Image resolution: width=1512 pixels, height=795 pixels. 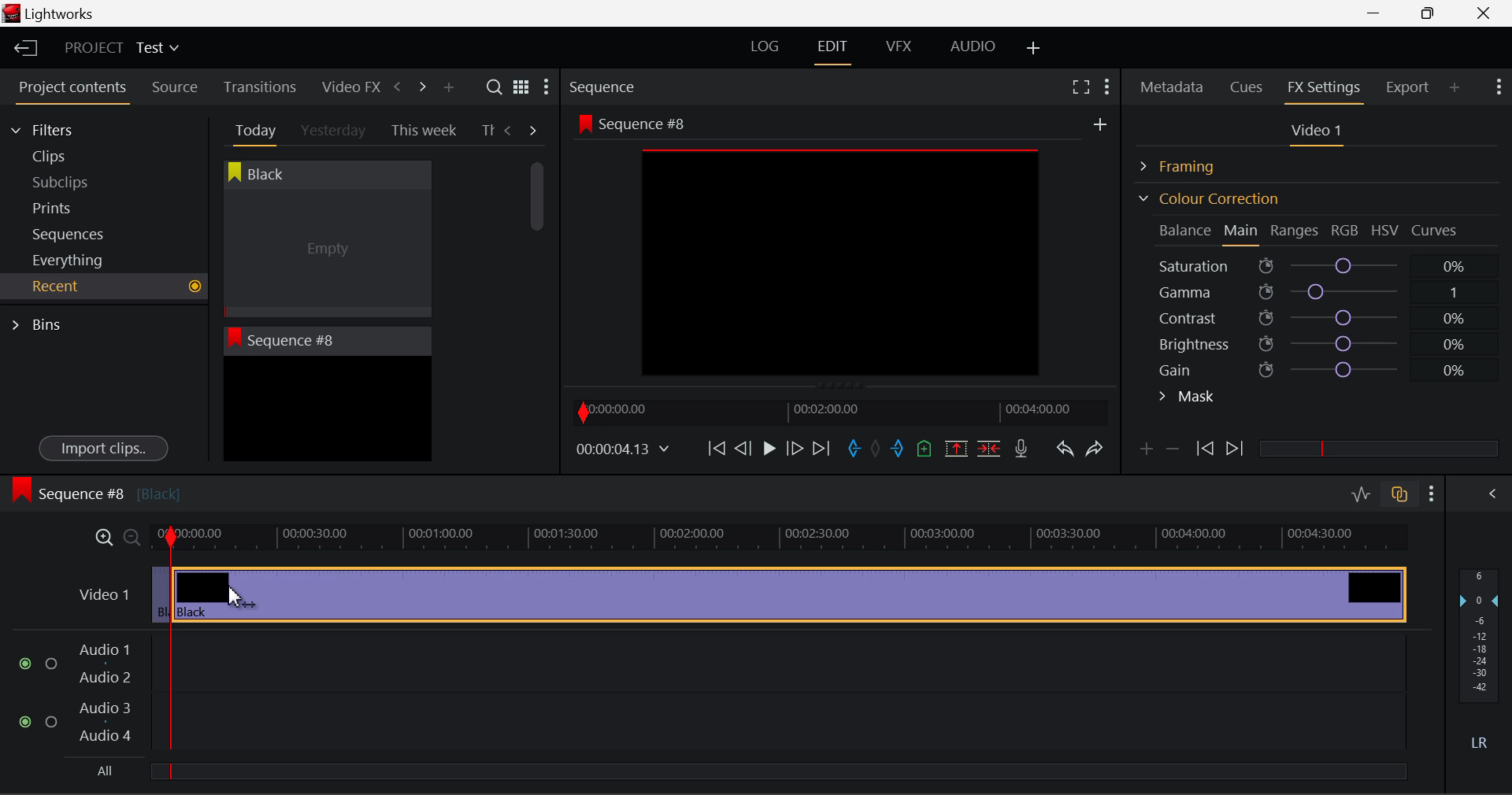 What do you see at coordinates (122, 49) in the screenshot?
I see `Project Title` at bounding box center [122, 49].